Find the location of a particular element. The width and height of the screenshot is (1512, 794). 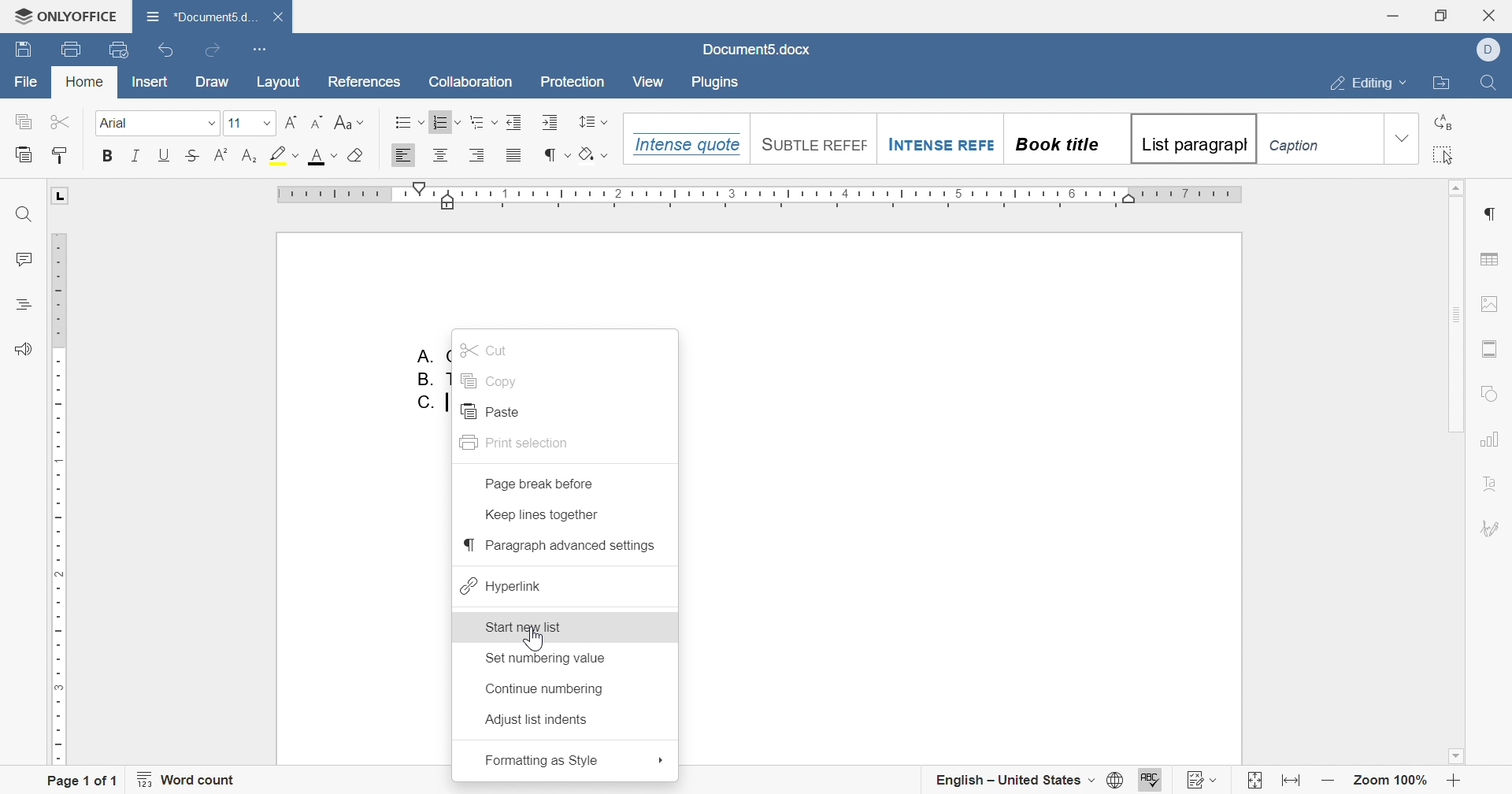

drop down is located at coordinates (660, 761).